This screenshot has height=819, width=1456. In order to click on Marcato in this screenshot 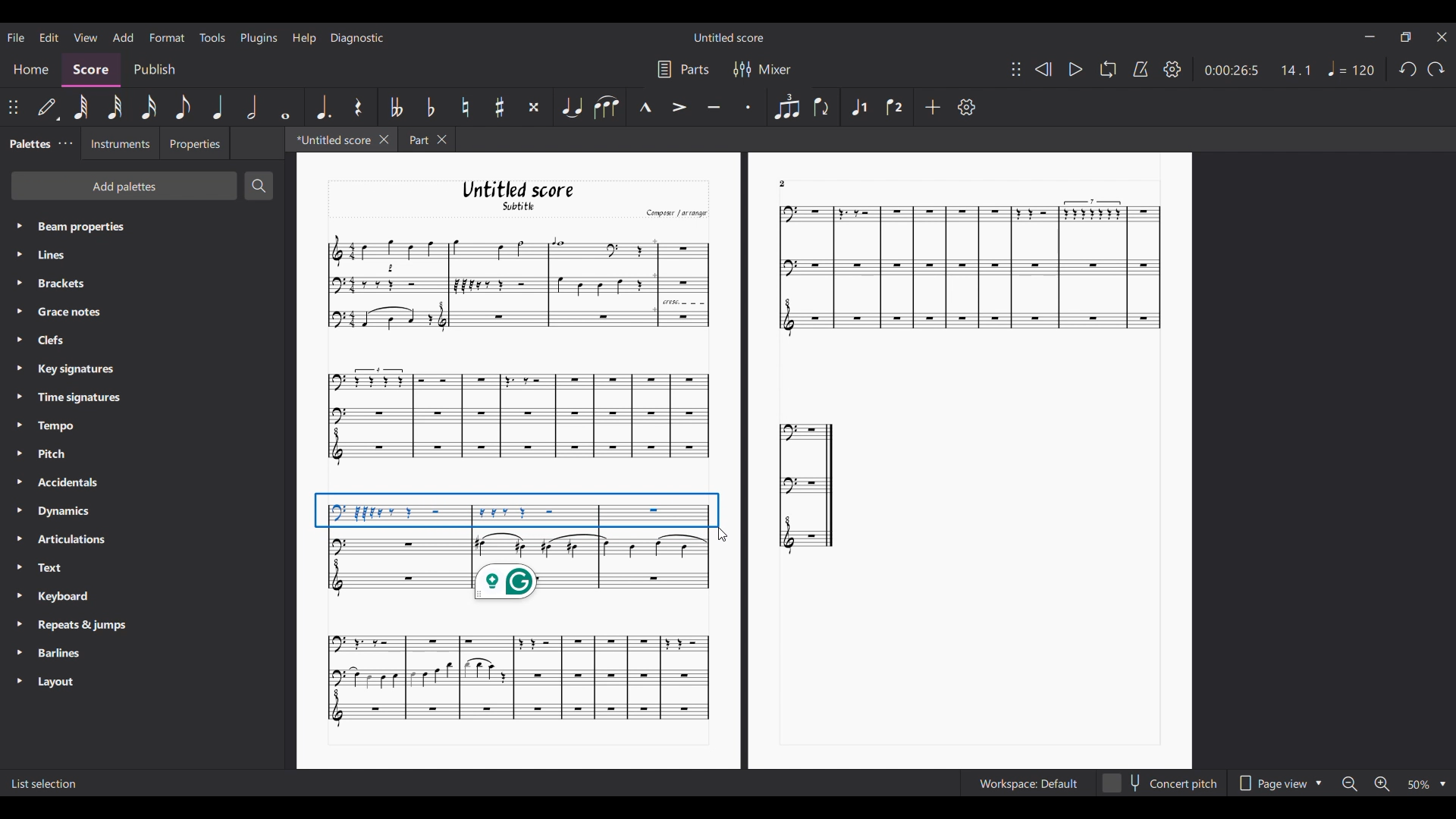, I will do `click(645, 108)`.